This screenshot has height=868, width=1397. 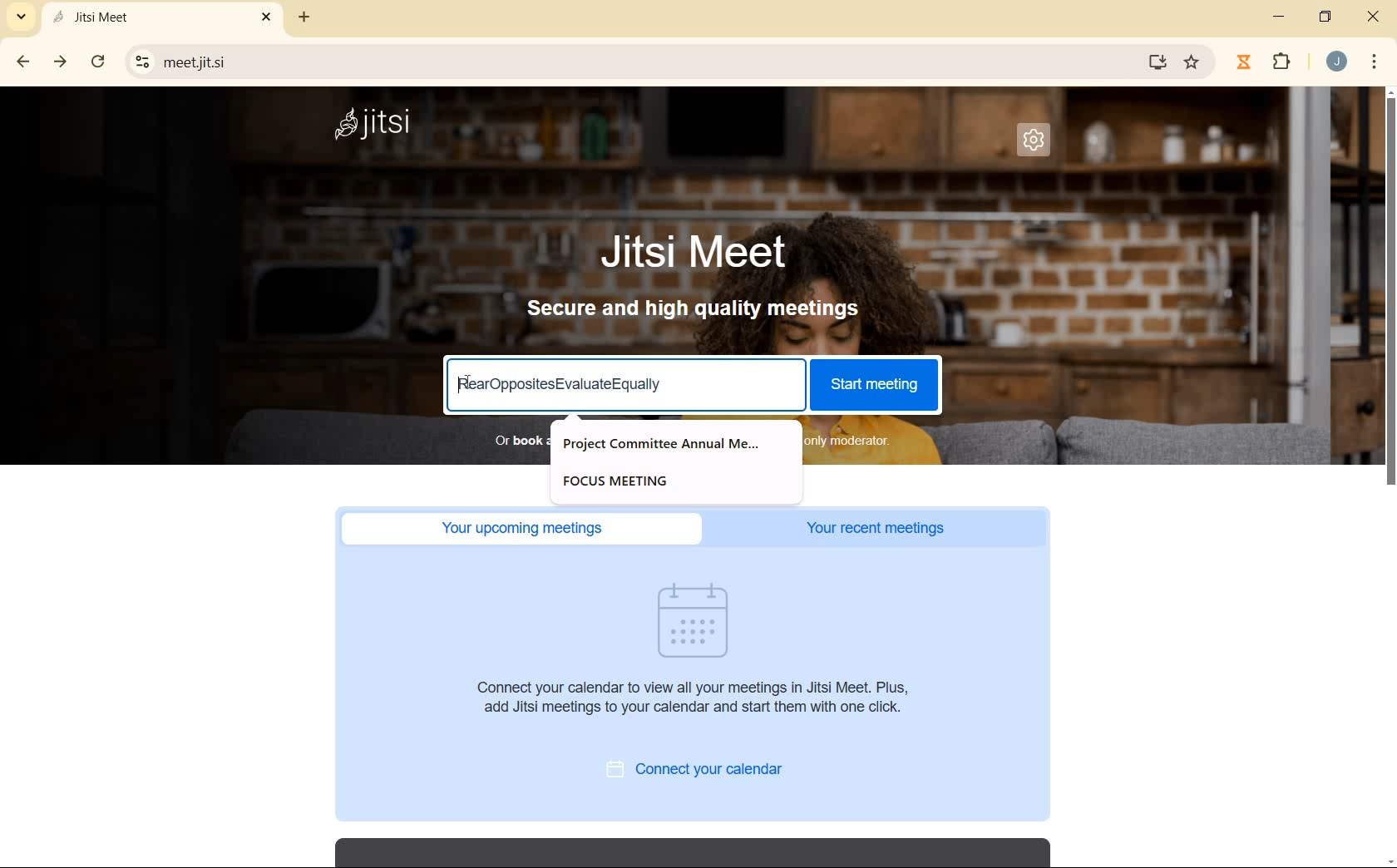 I want to click on SCROLLBAR, so click(x=1392, y=478).